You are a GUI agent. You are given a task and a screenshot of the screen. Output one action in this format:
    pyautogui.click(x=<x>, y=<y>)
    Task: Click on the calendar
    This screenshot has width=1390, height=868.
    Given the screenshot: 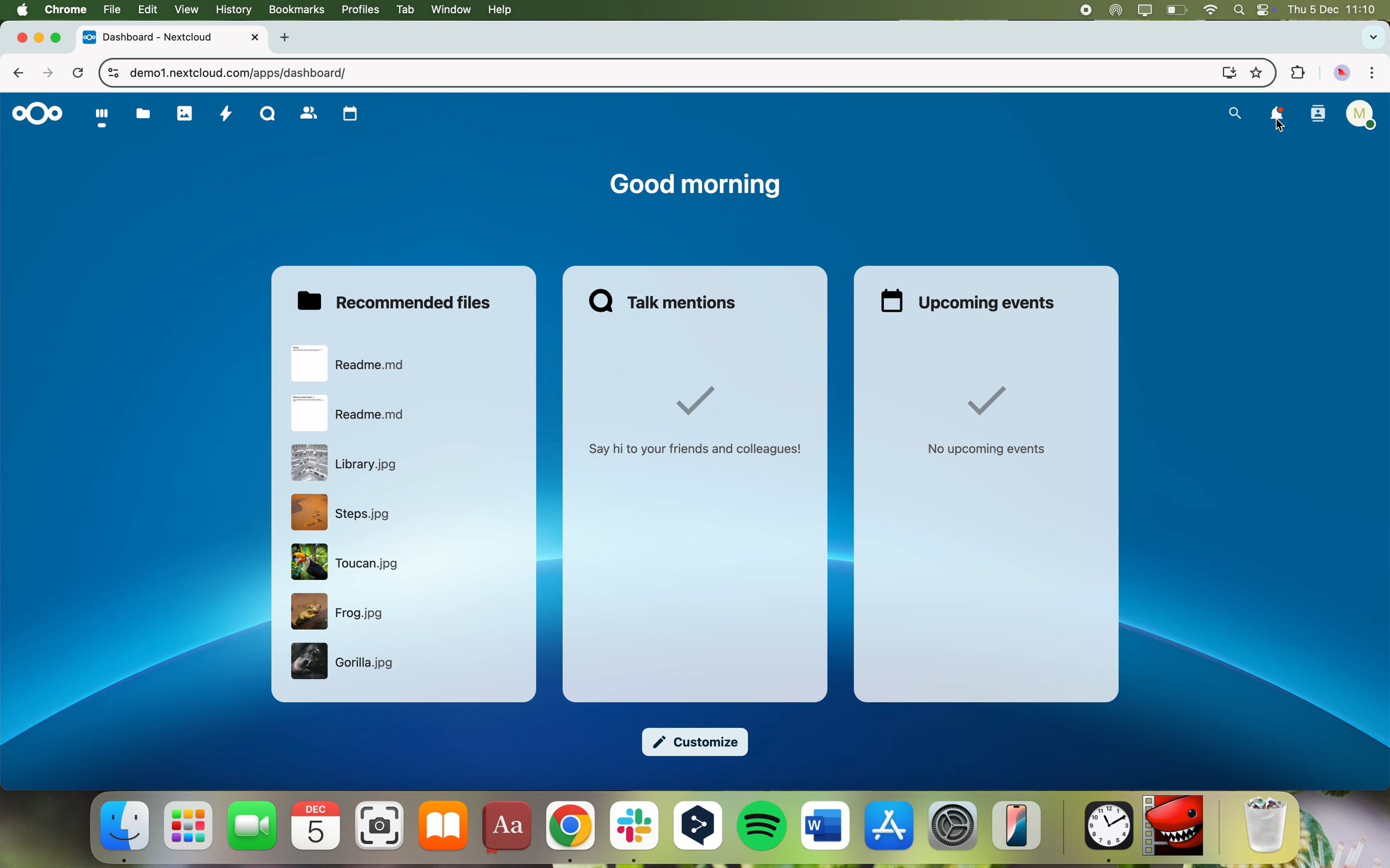 What is the action you would take?
    pyautogui.click(x=318, y=826)
    